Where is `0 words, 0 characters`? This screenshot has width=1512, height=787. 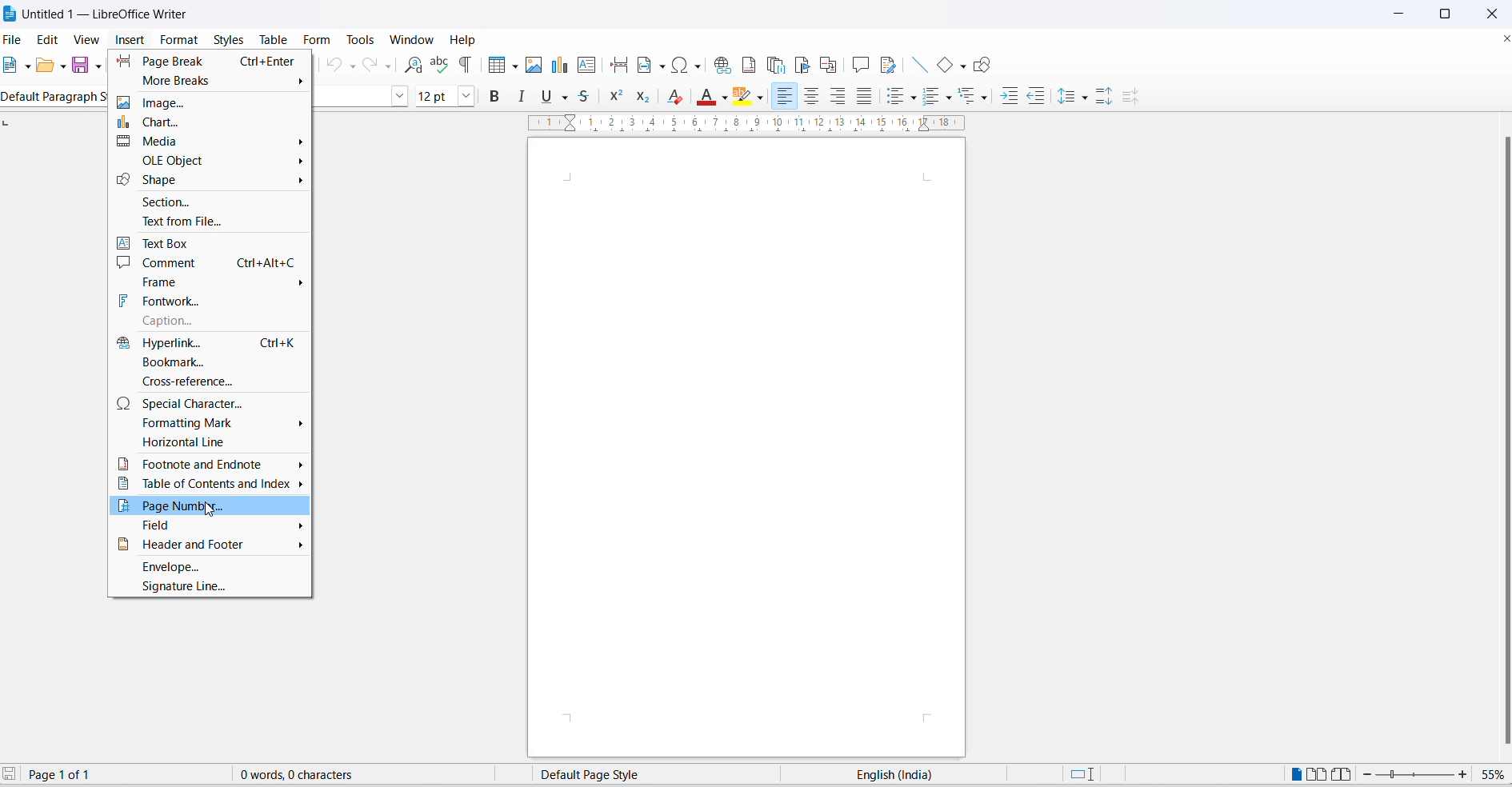
0 words, 0 characters is located at coordinates (311, 776).